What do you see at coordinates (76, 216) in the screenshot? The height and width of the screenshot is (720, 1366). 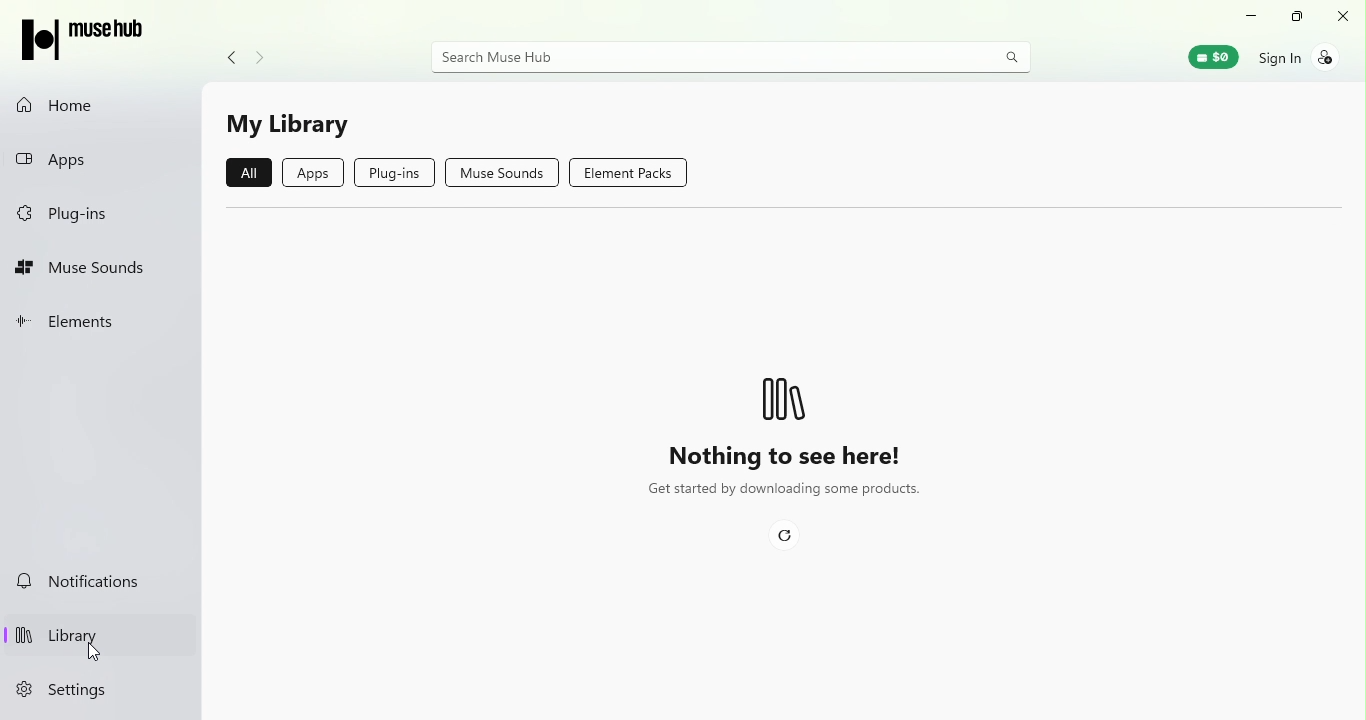 I see `Plug-ins` at bounding box center [76, 216].